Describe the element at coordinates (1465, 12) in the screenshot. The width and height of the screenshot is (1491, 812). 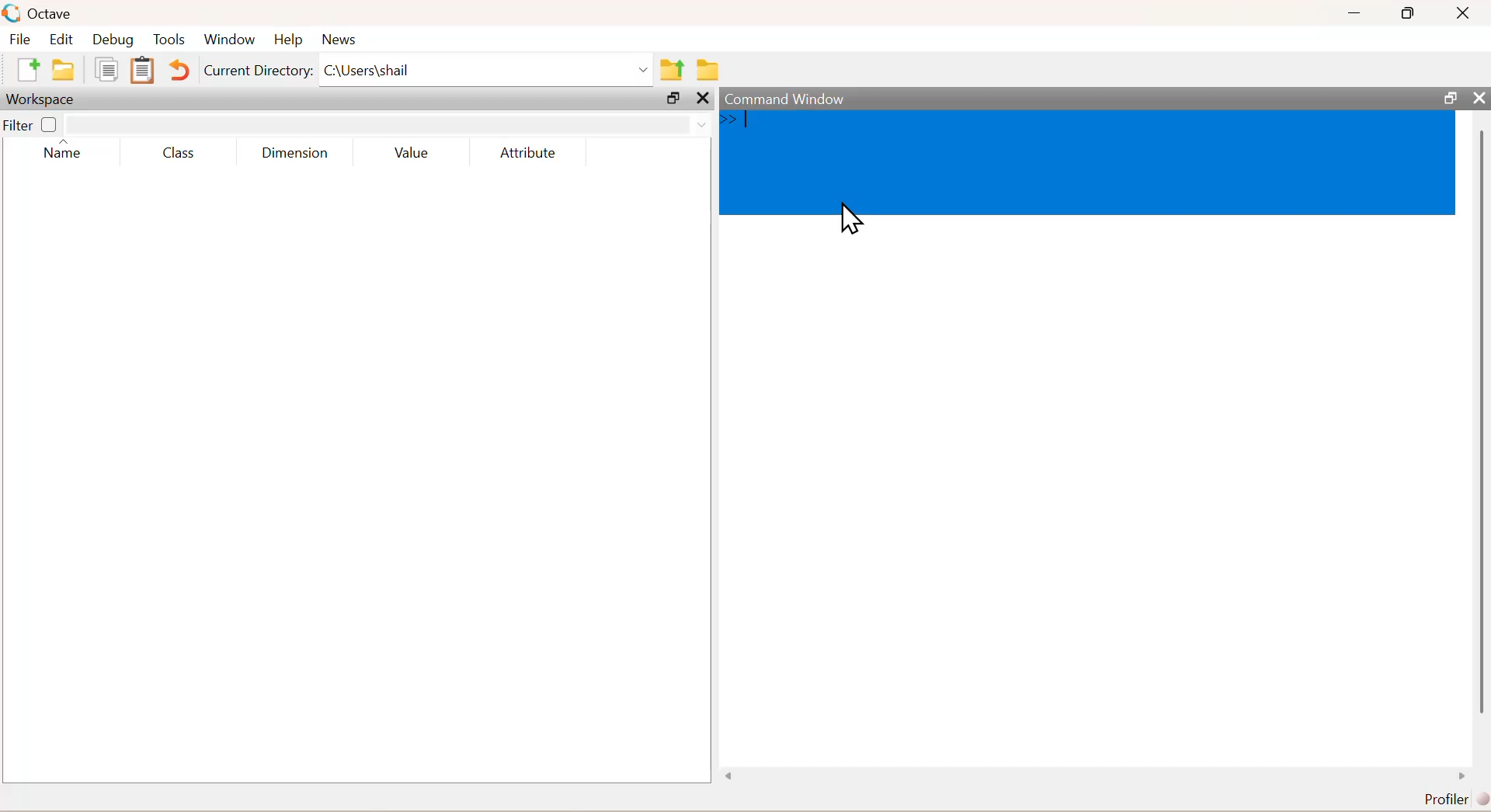
I see `close` at that location.